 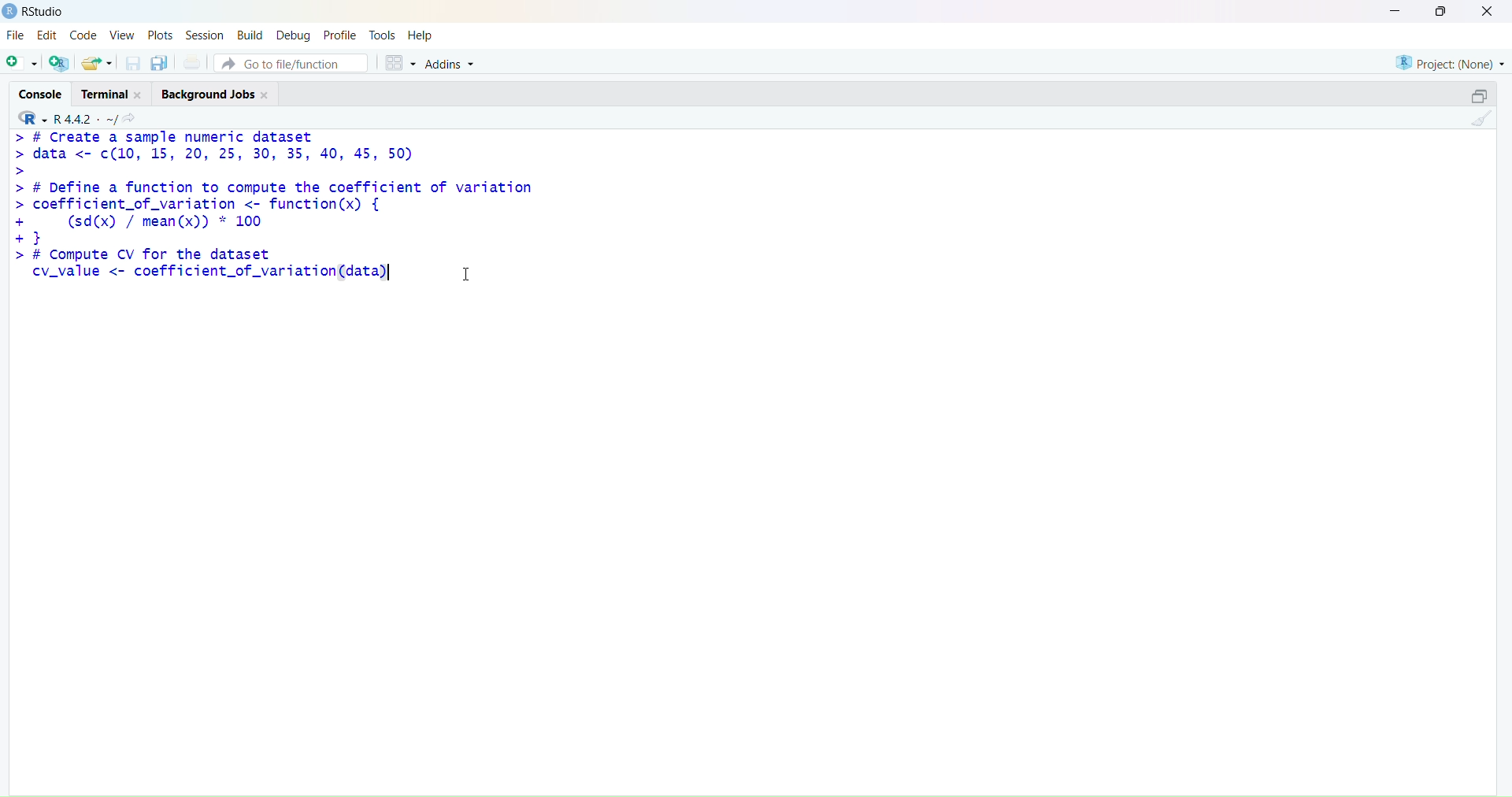 I want to click on share icon, so click(x=130, y=118).